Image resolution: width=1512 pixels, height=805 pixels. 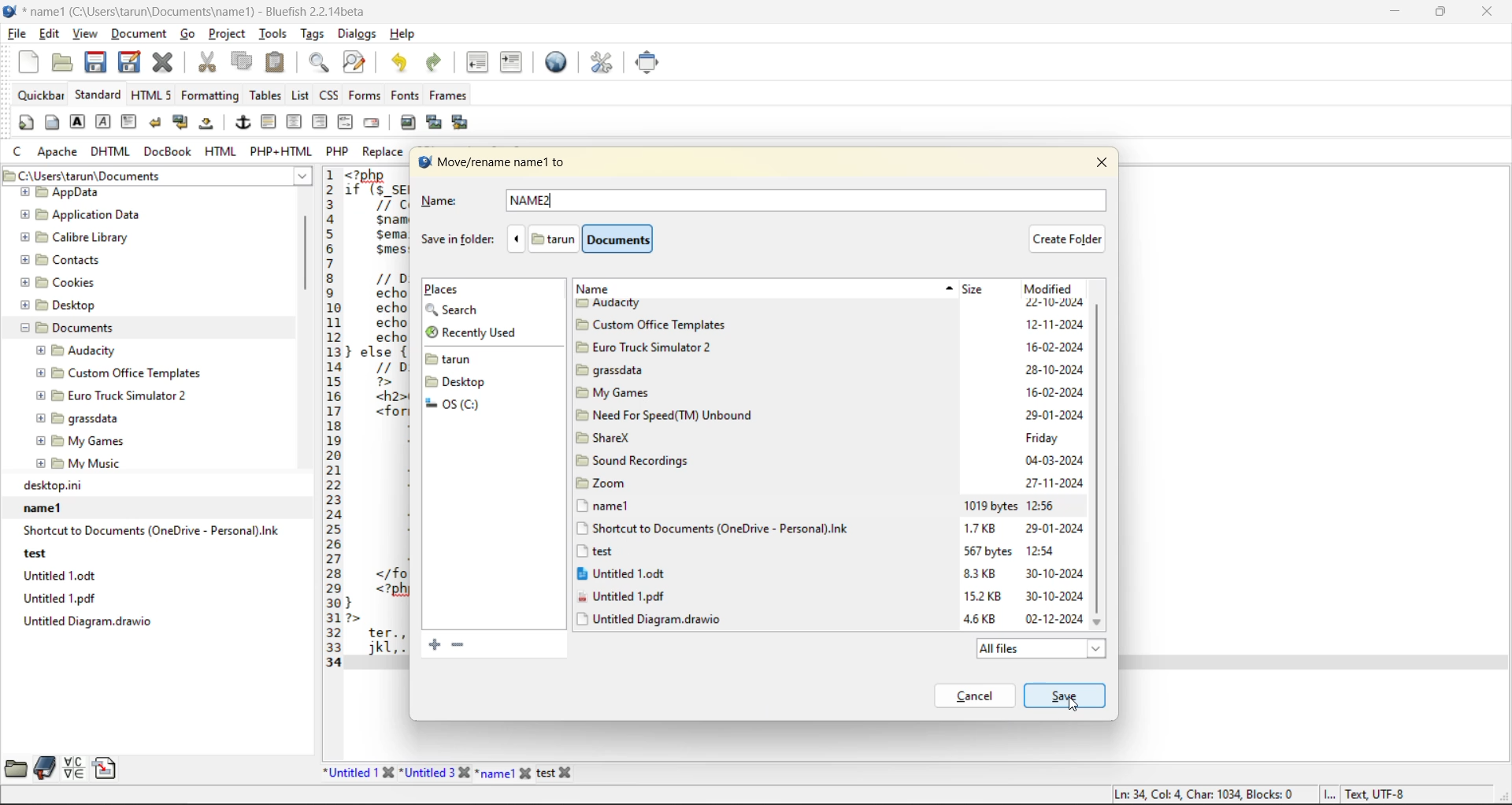 What do you see at coordinates (433, 121) in the screenshot?
I see `insert thumbnail` at bounding box center [433, 121].